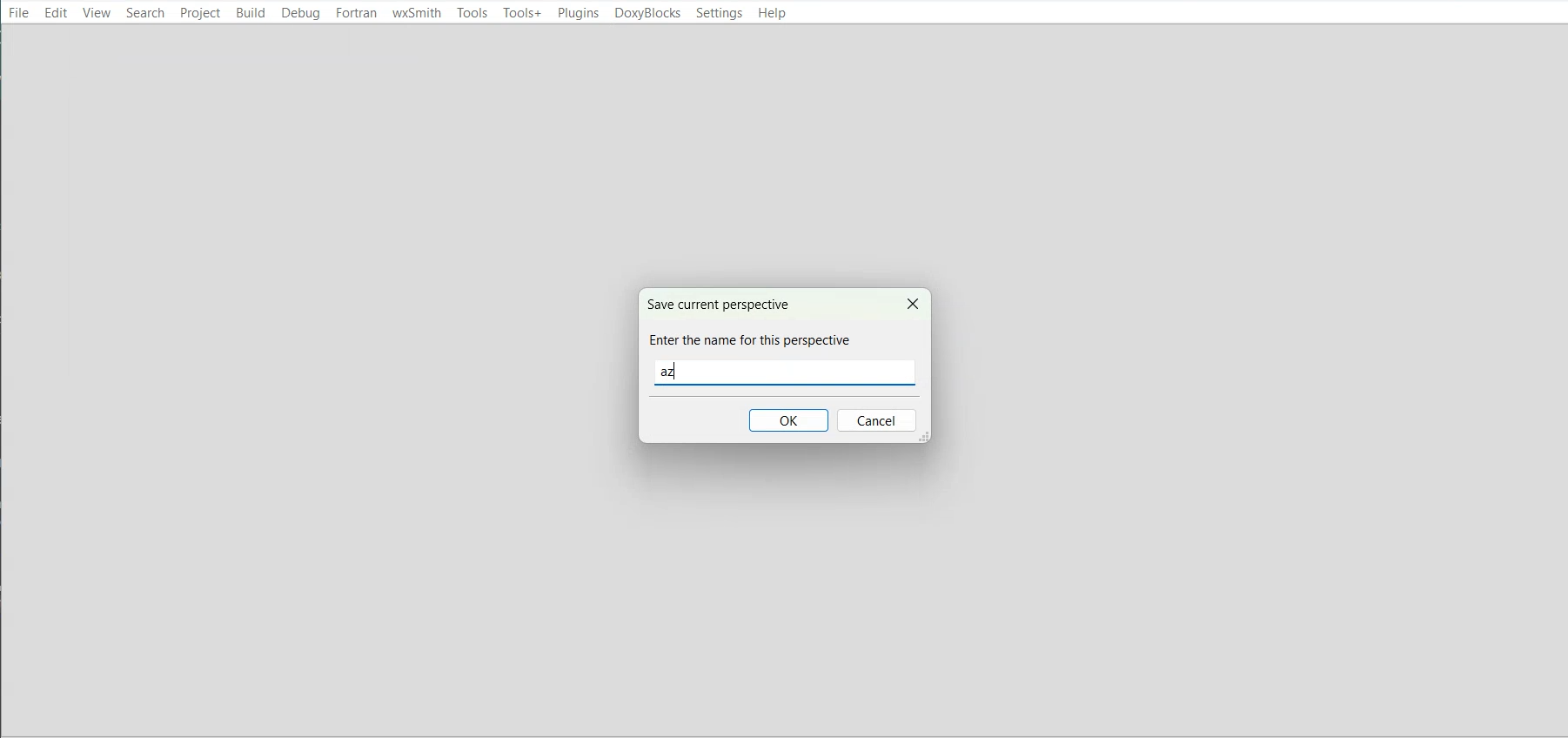 This screenshot has width=1568, height=738. I want to click on Settings, so click(719, 13).